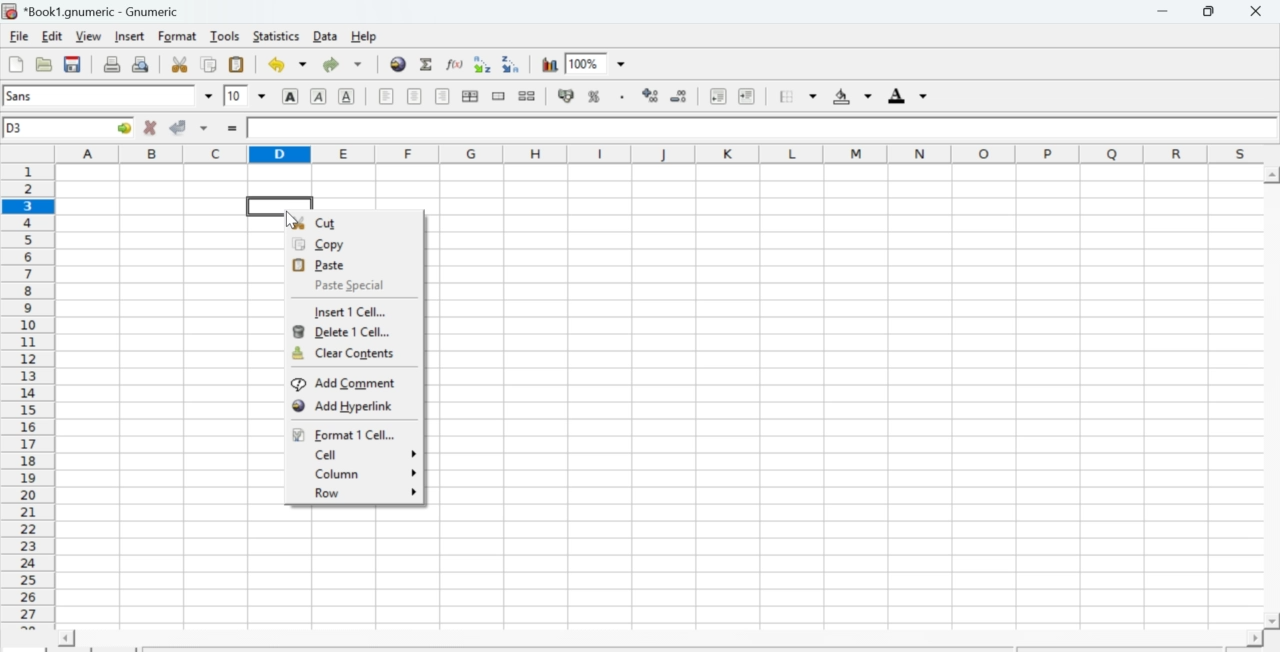 The height and width of the screenshot is (652, 1280). I want to click on scroll down, so click(1272, 622).